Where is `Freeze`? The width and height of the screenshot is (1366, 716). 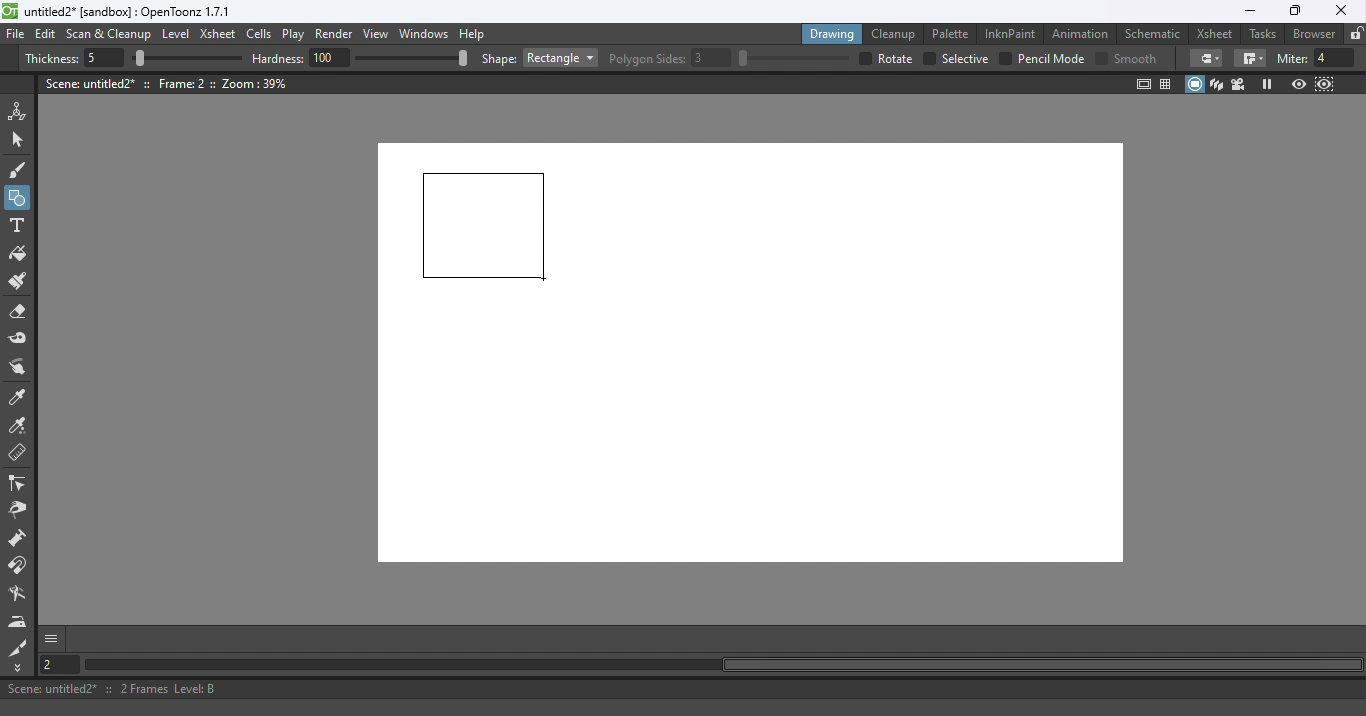
Freeze is located at coordinates (1267, 84).